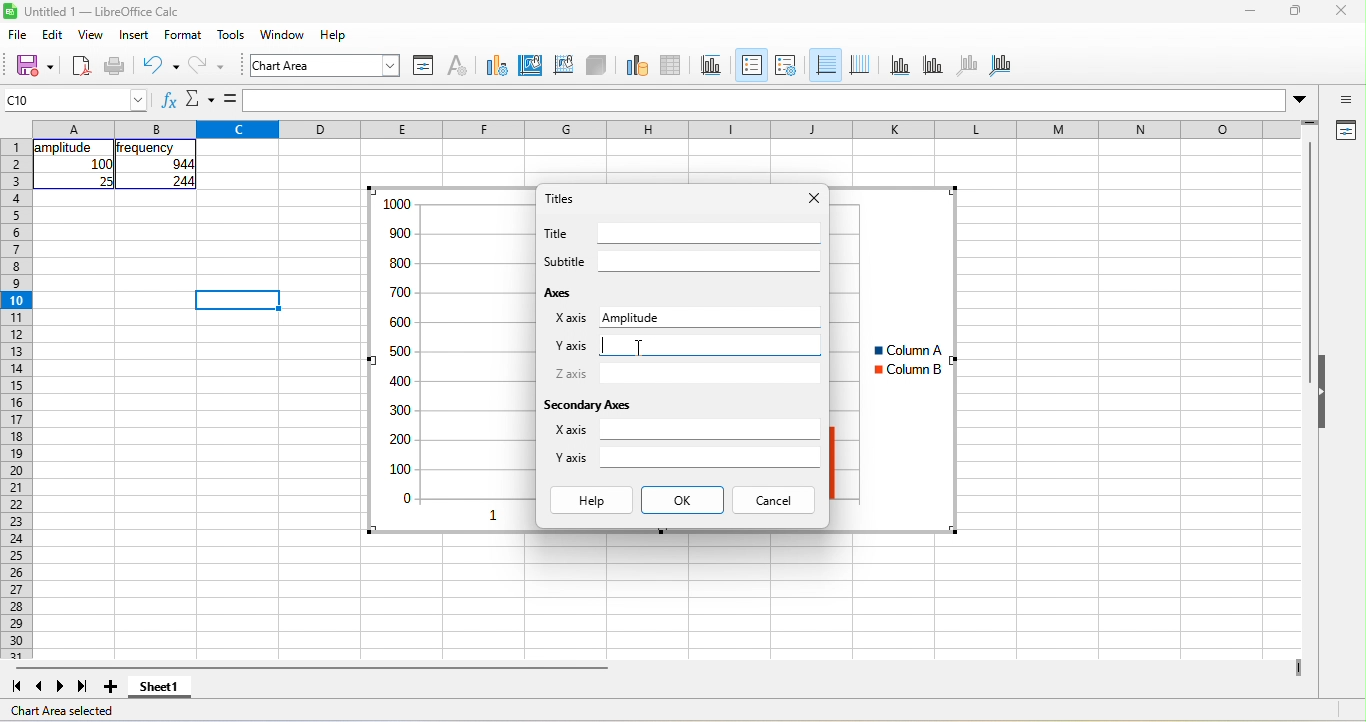 This screenshot has height=722, width=1366. I want to click on Typing in input for y axis, so click(711, 345).